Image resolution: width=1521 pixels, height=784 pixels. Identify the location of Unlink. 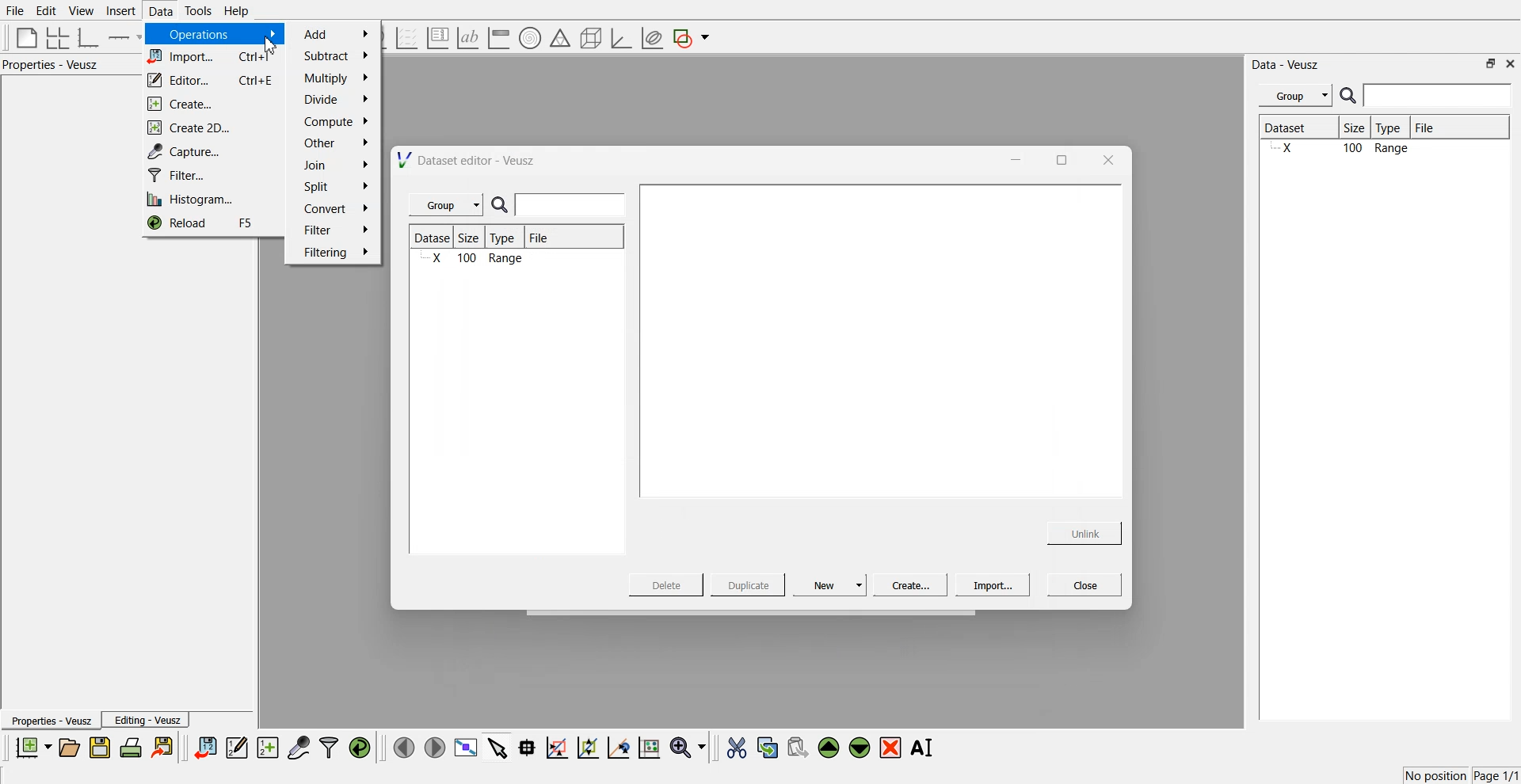
(1085, 531).